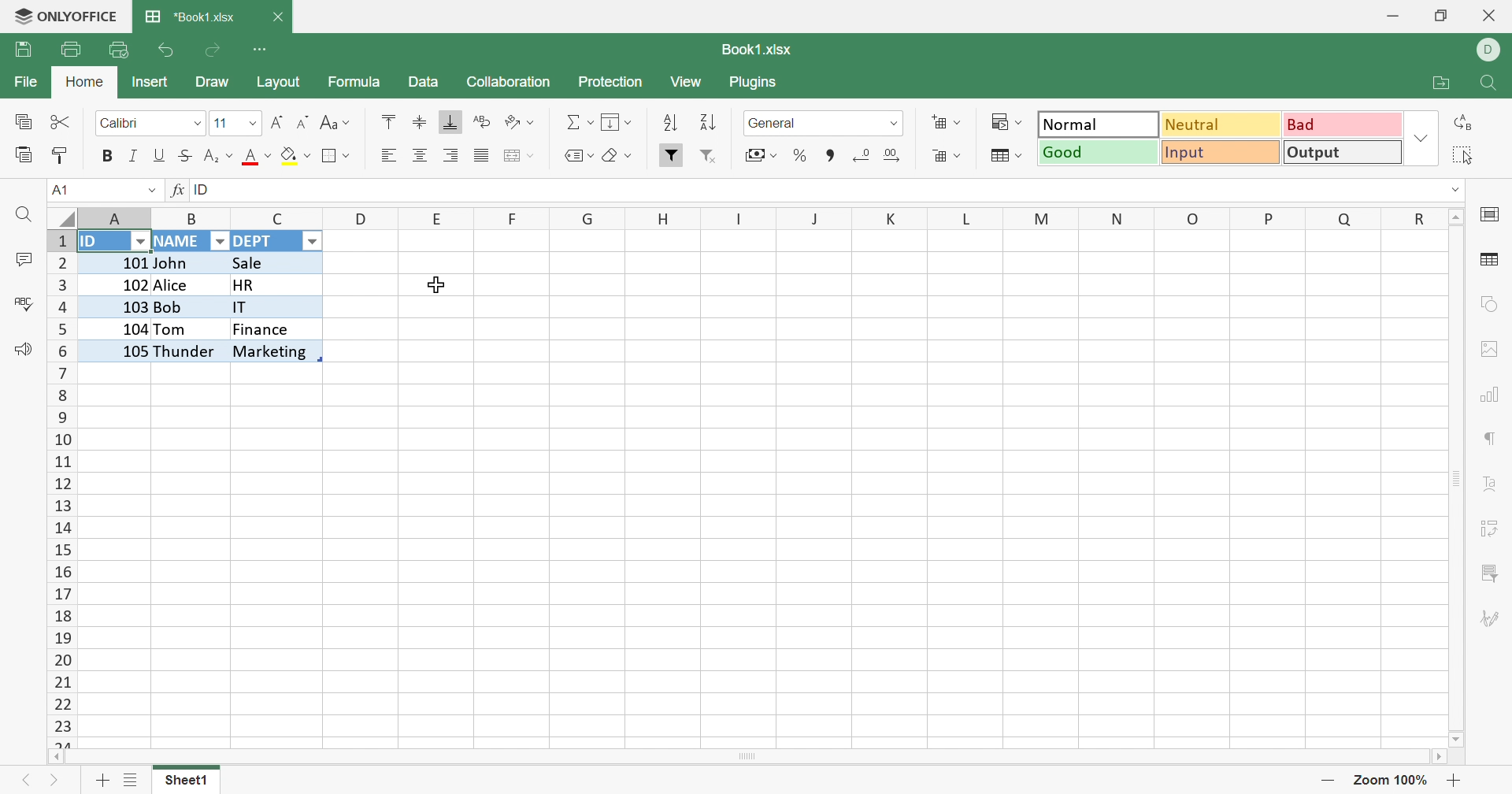  I want to click on NAME, so click(179, 243).